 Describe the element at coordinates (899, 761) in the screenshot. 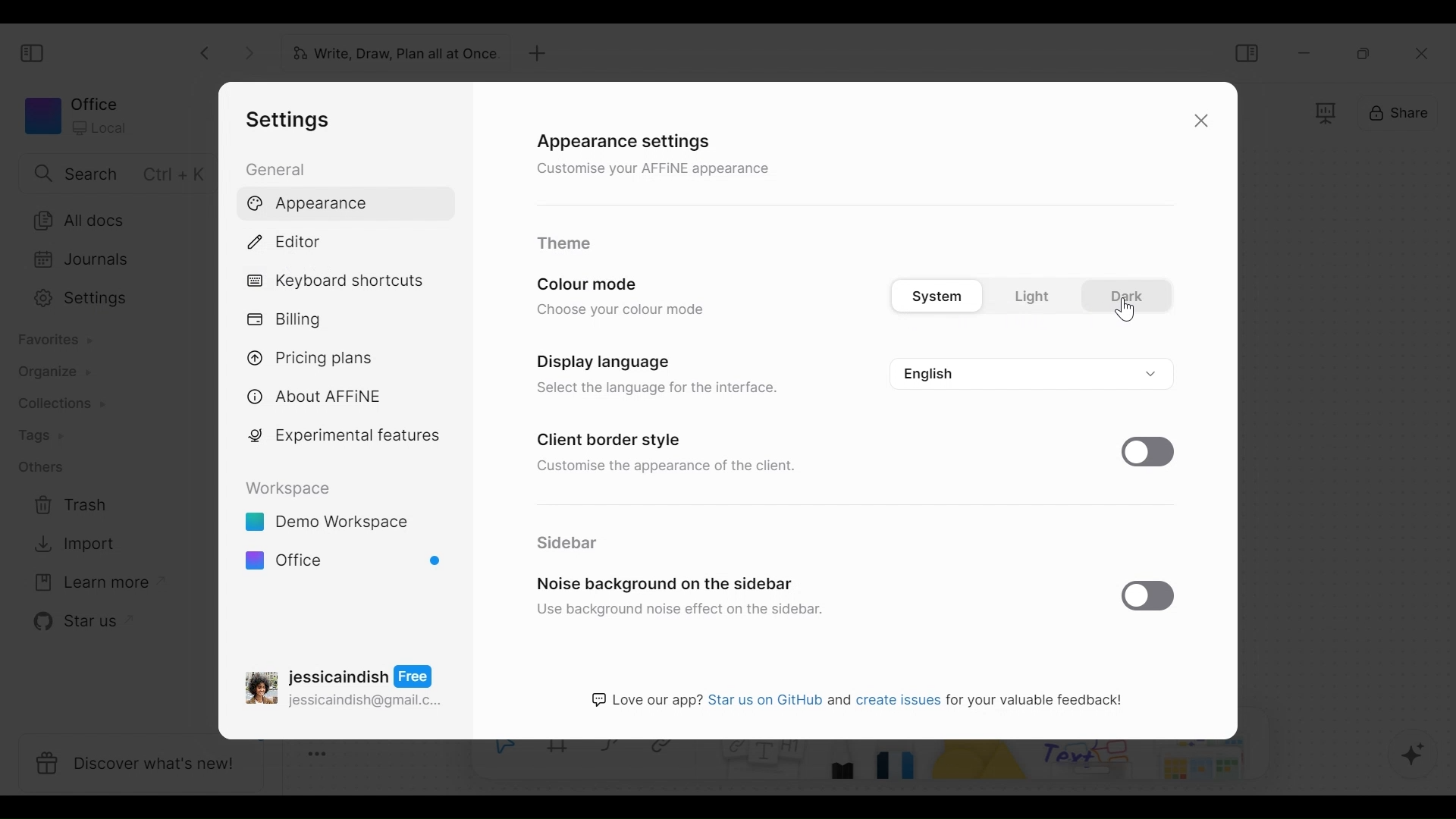

I see `Eraser` at that location.